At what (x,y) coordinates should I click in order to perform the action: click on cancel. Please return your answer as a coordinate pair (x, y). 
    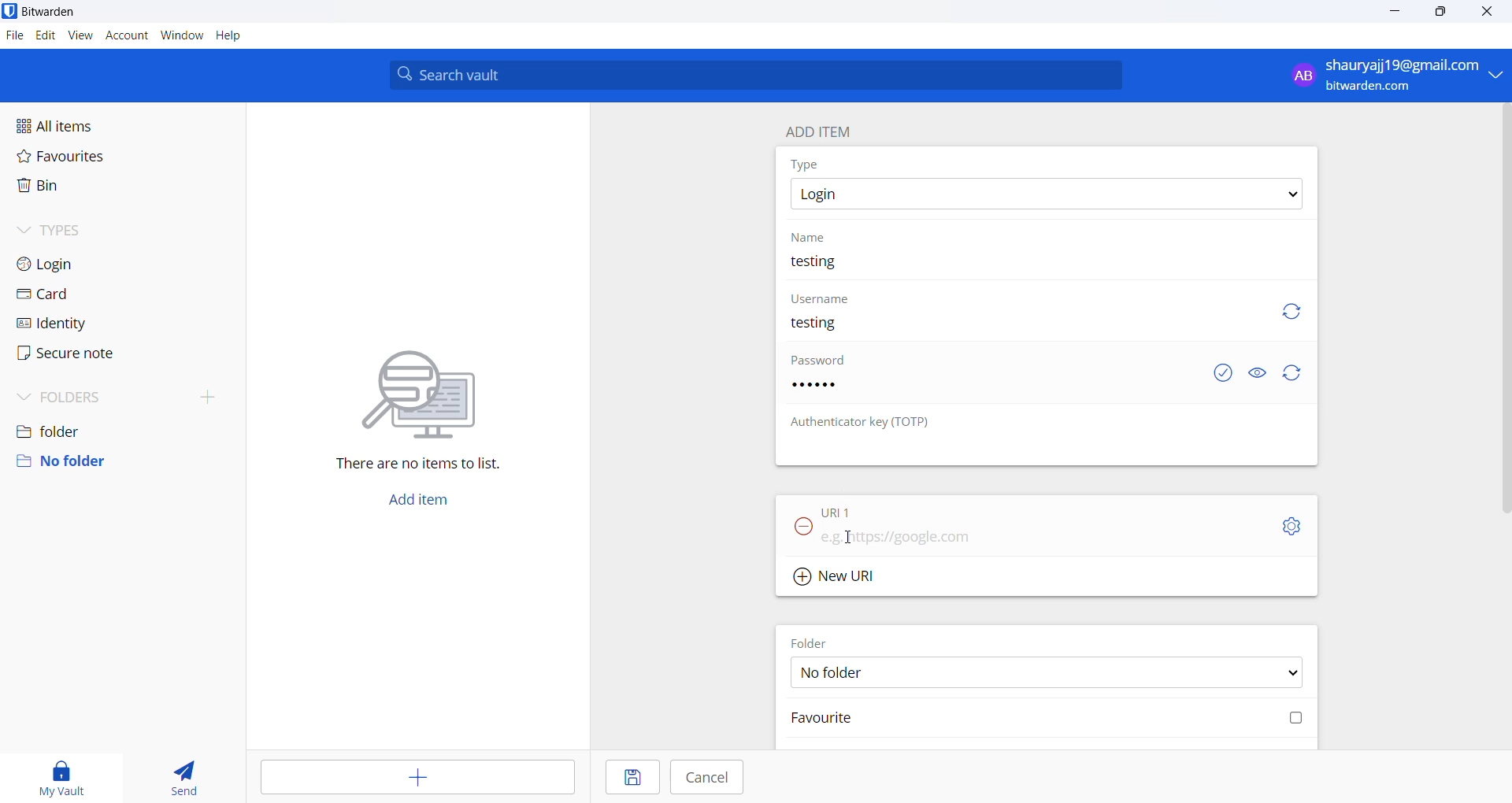
    Looking at the image, I should click on (706, 777).